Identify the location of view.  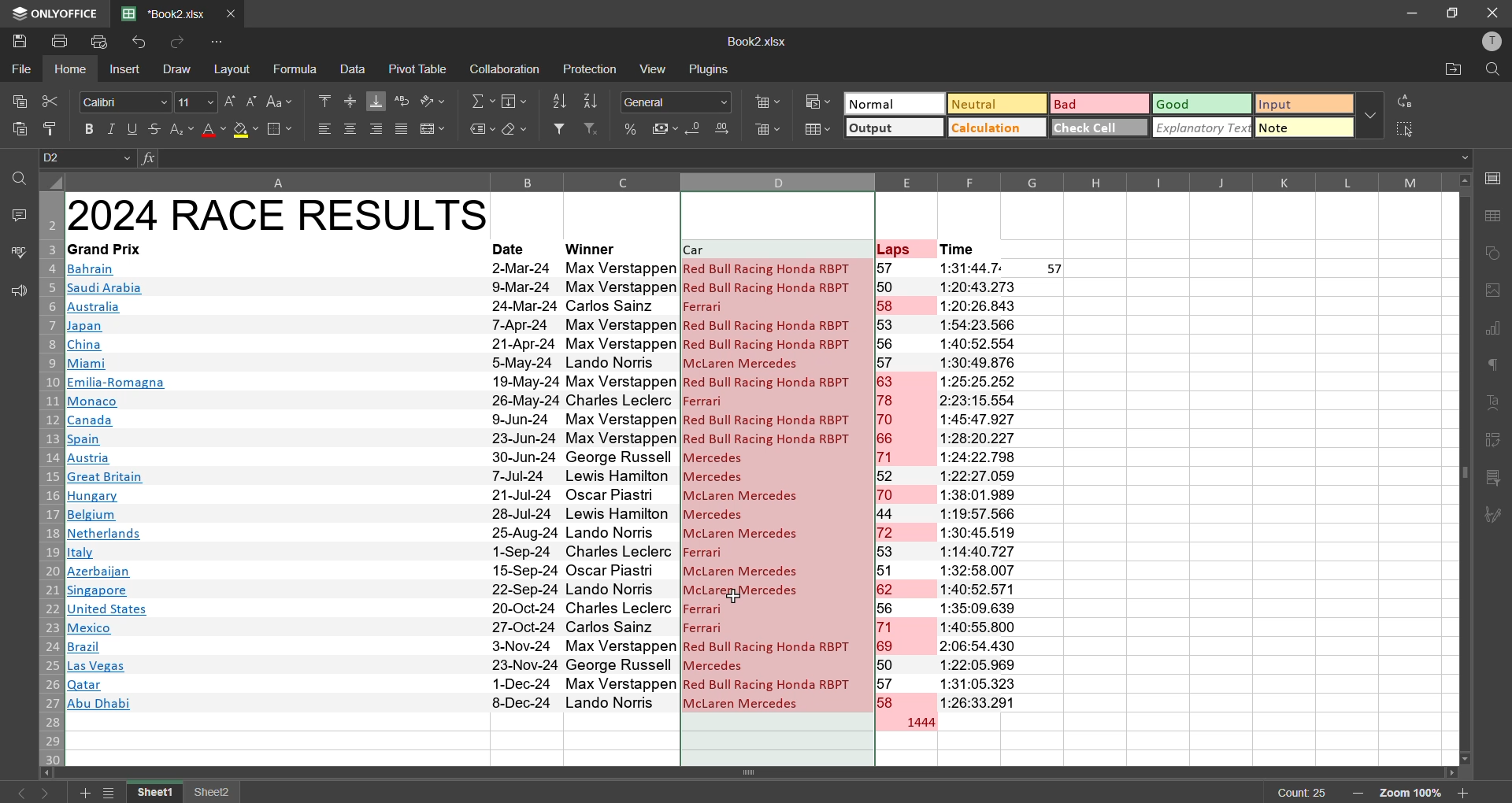
(656, 68).